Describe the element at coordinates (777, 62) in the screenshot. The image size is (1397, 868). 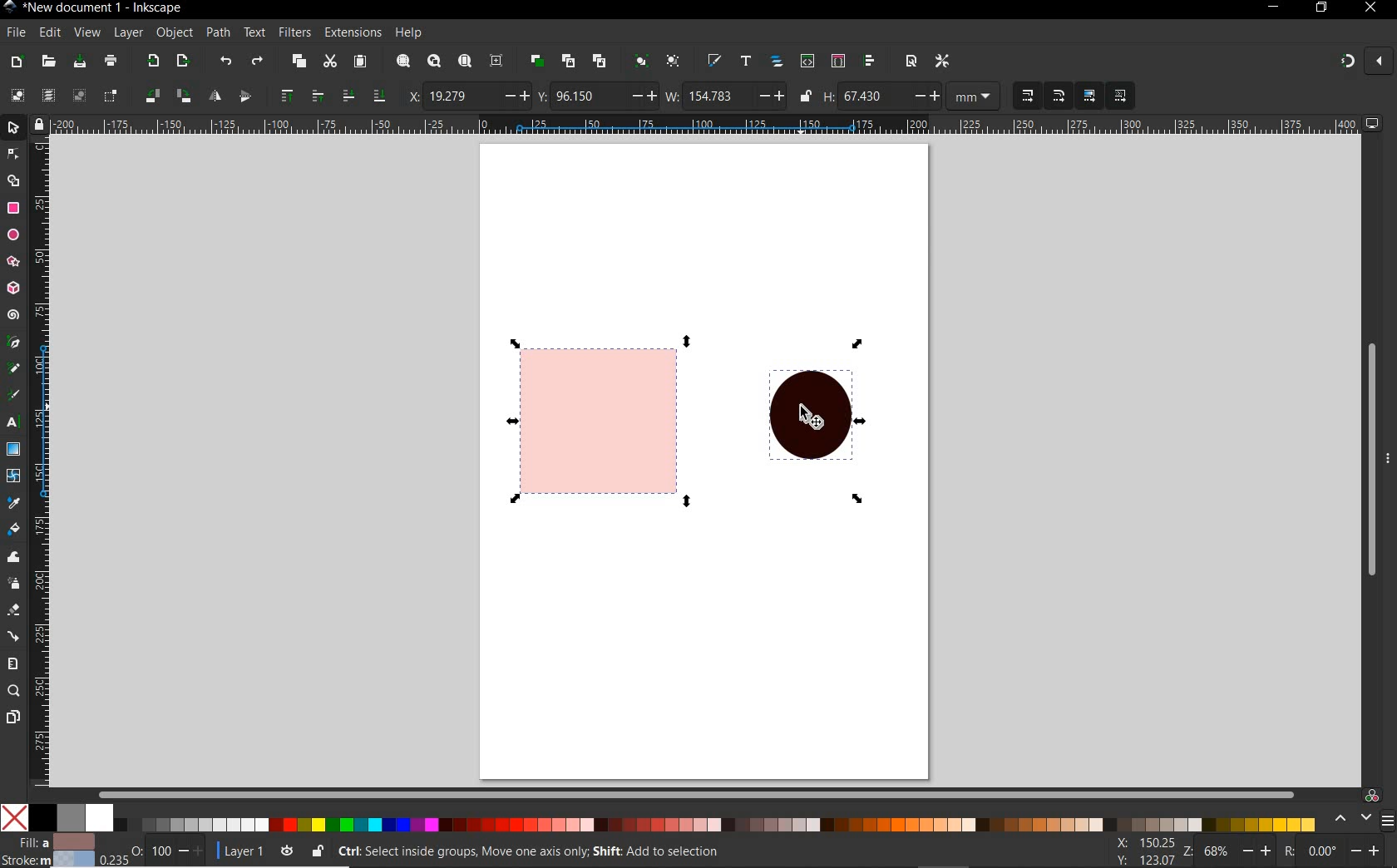
I see `open object` at that location.